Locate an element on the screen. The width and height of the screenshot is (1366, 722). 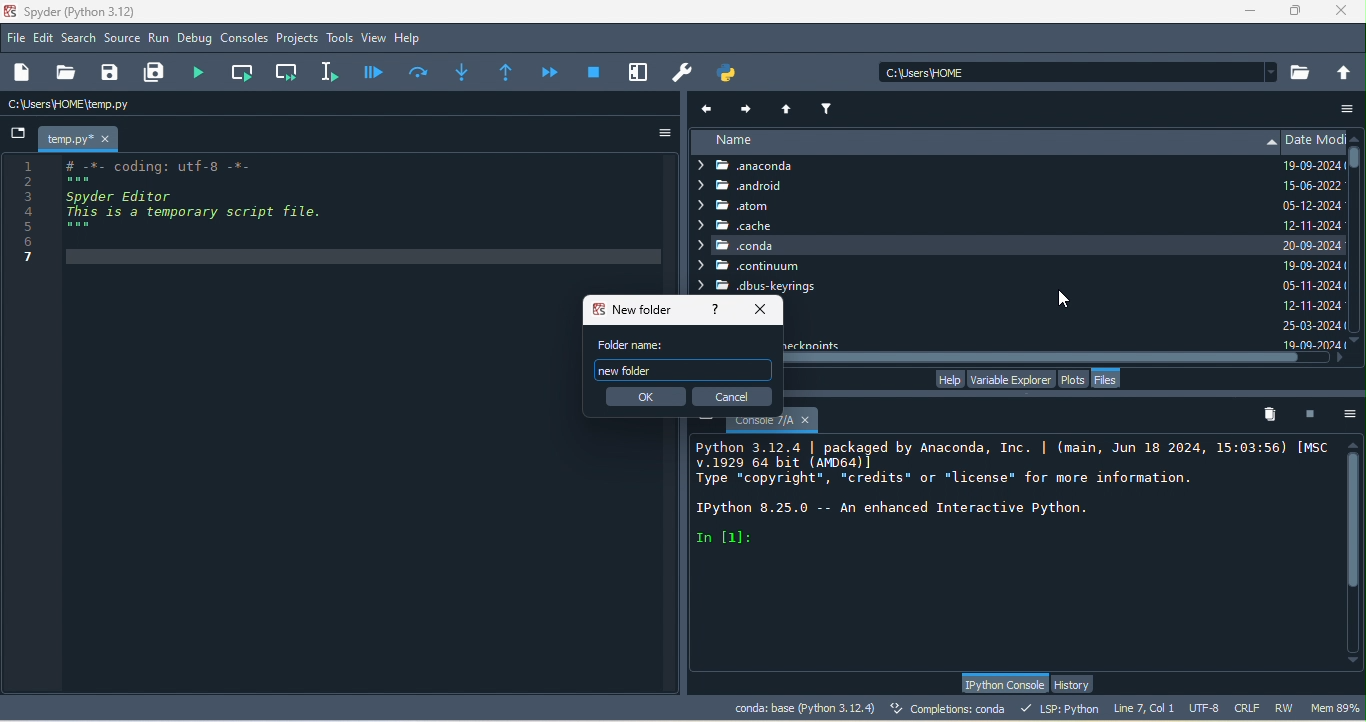
pythonpath manager is located at coordinates (732, 73).